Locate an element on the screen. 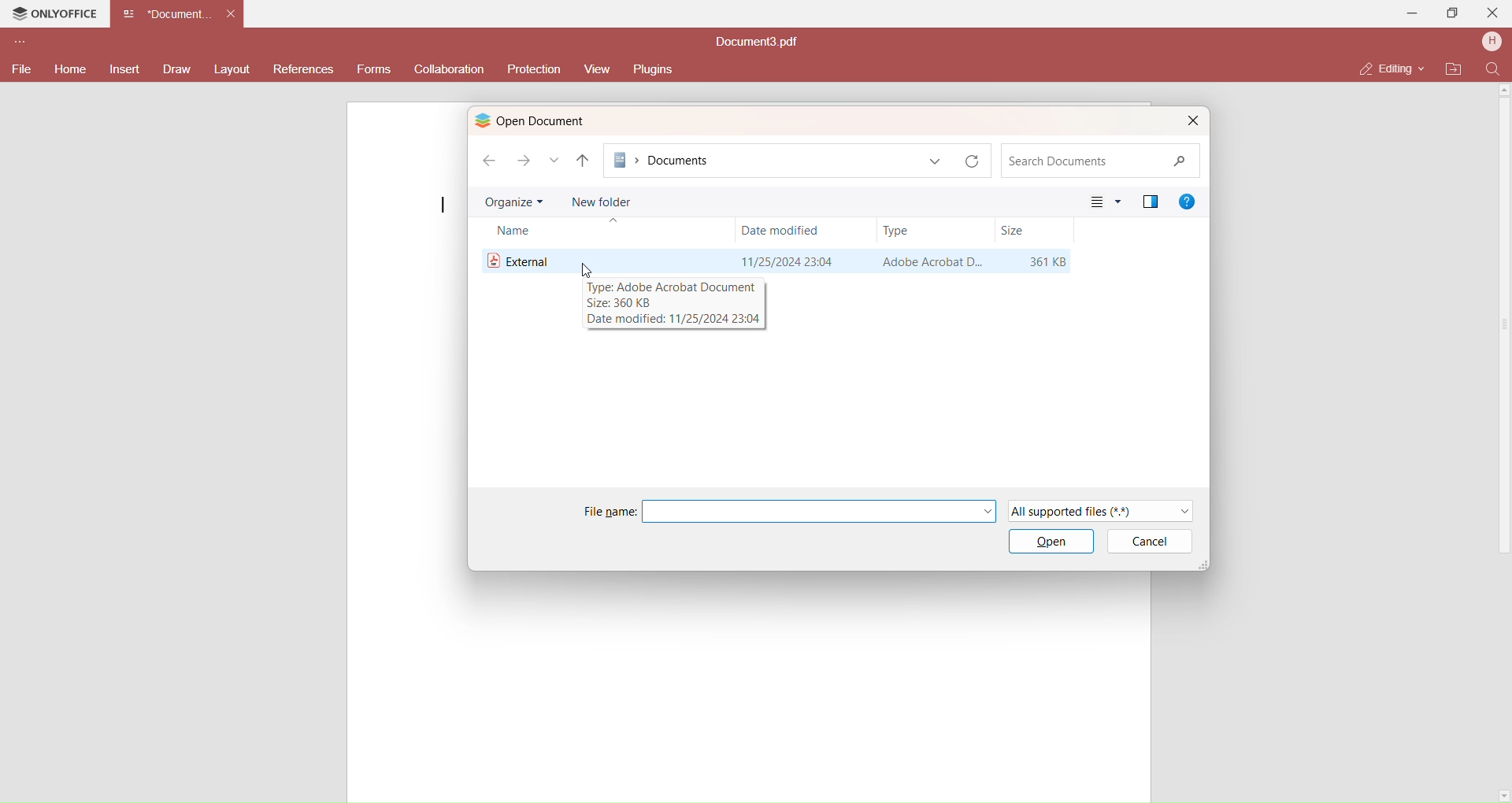 The height and width of the screenshot is (803, 1512). recent locations is located at coordinates (554, 161).